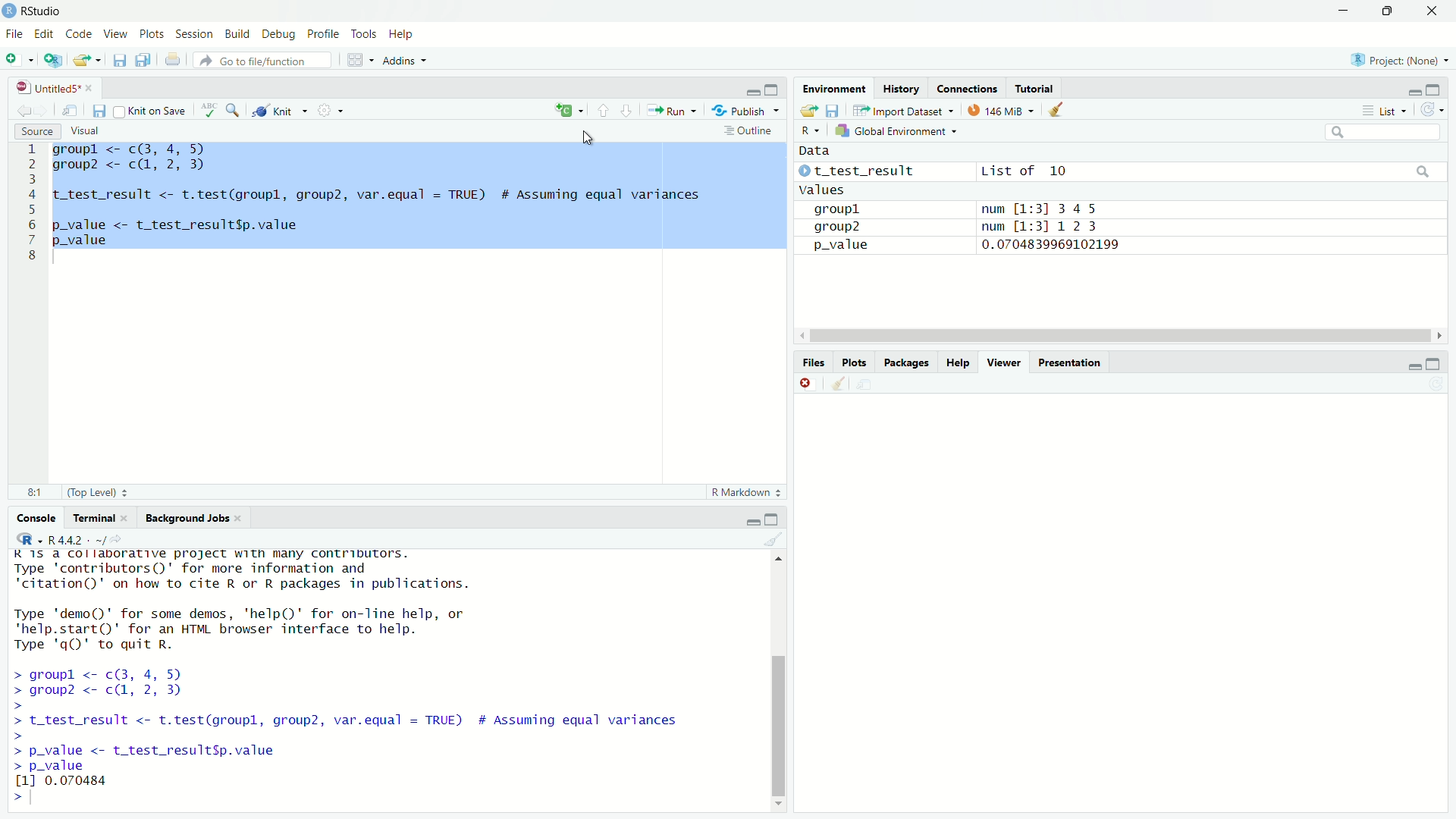  I want to click on data, so click(823, 150).